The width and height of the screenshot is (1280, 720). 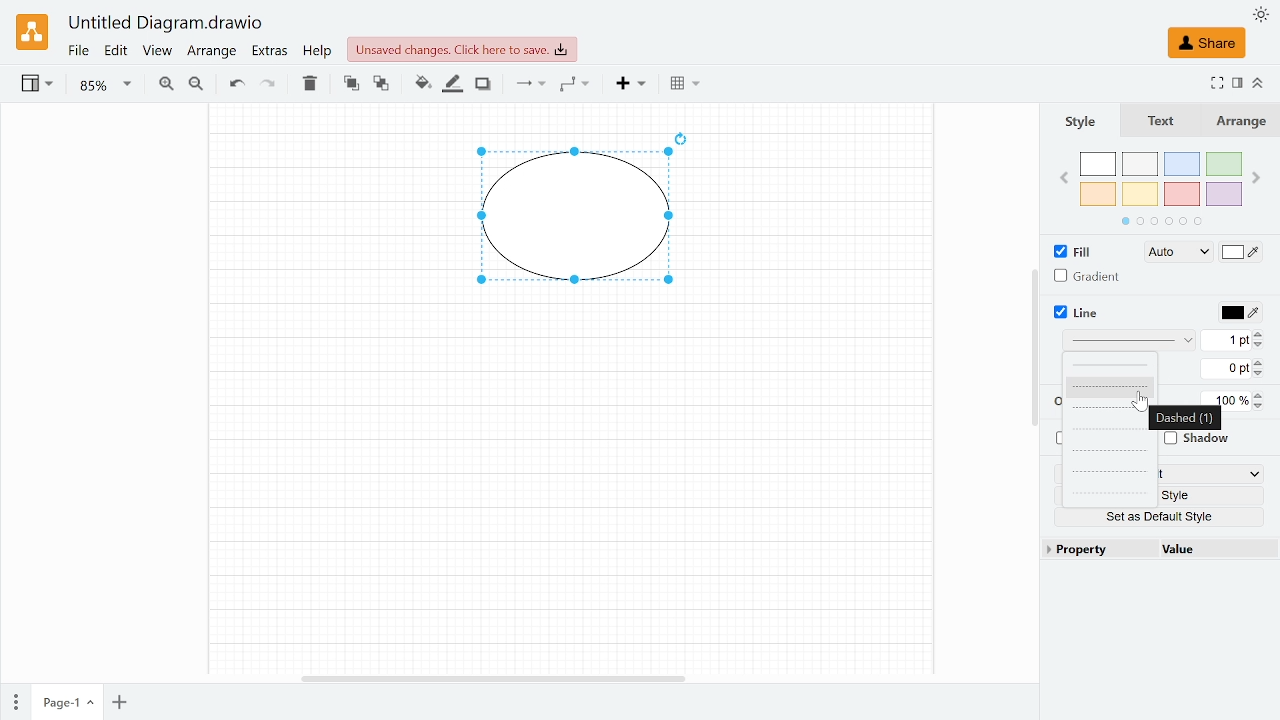 What do you see at coordinates (685, 86) in the screenshot?
I see `Table` at bounding box center [685, 86].